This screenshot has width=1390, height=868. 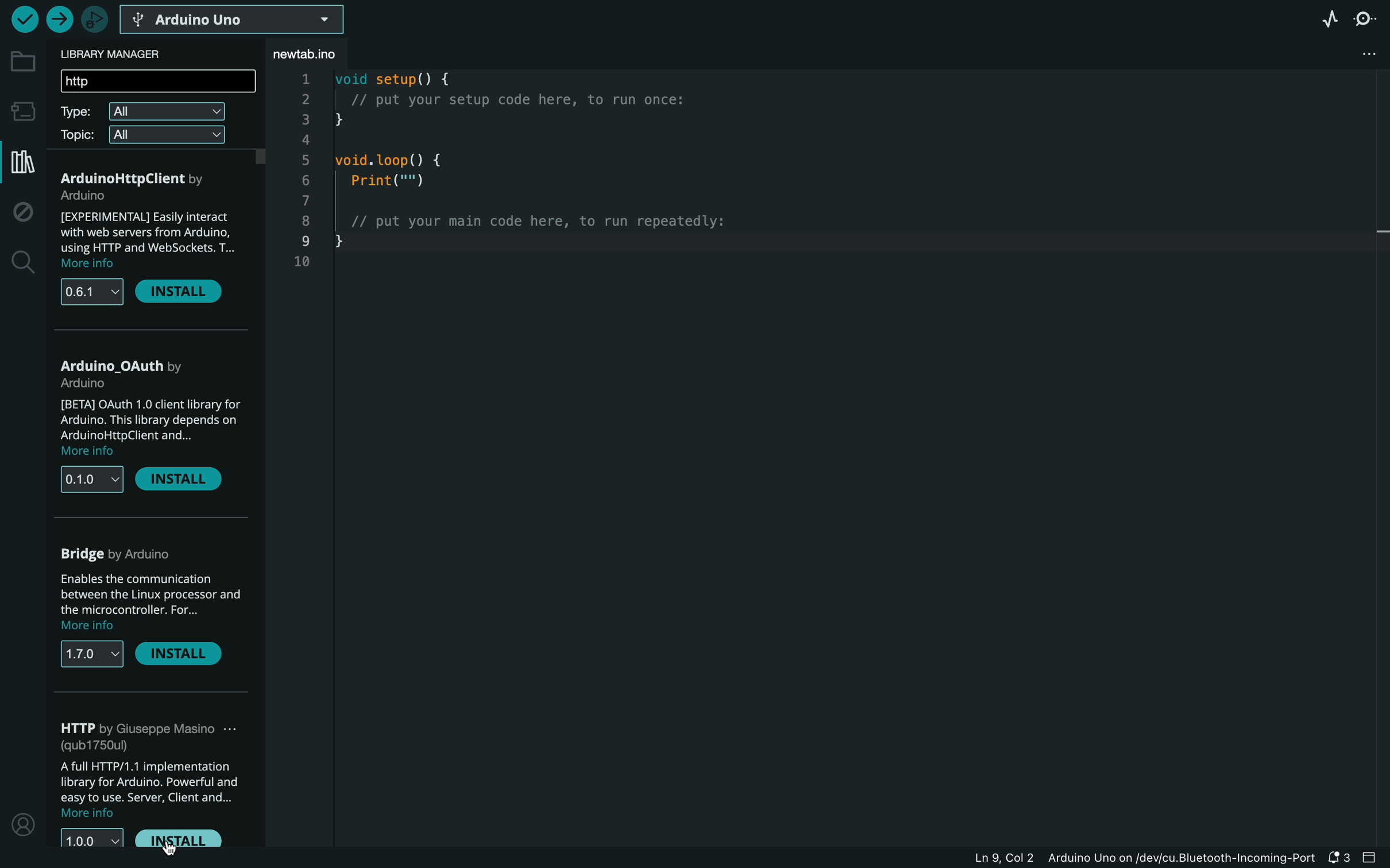 What do you see at coordinates (21, 62) in the screenshot?
I see `folder` at bounding box center [21, 62].